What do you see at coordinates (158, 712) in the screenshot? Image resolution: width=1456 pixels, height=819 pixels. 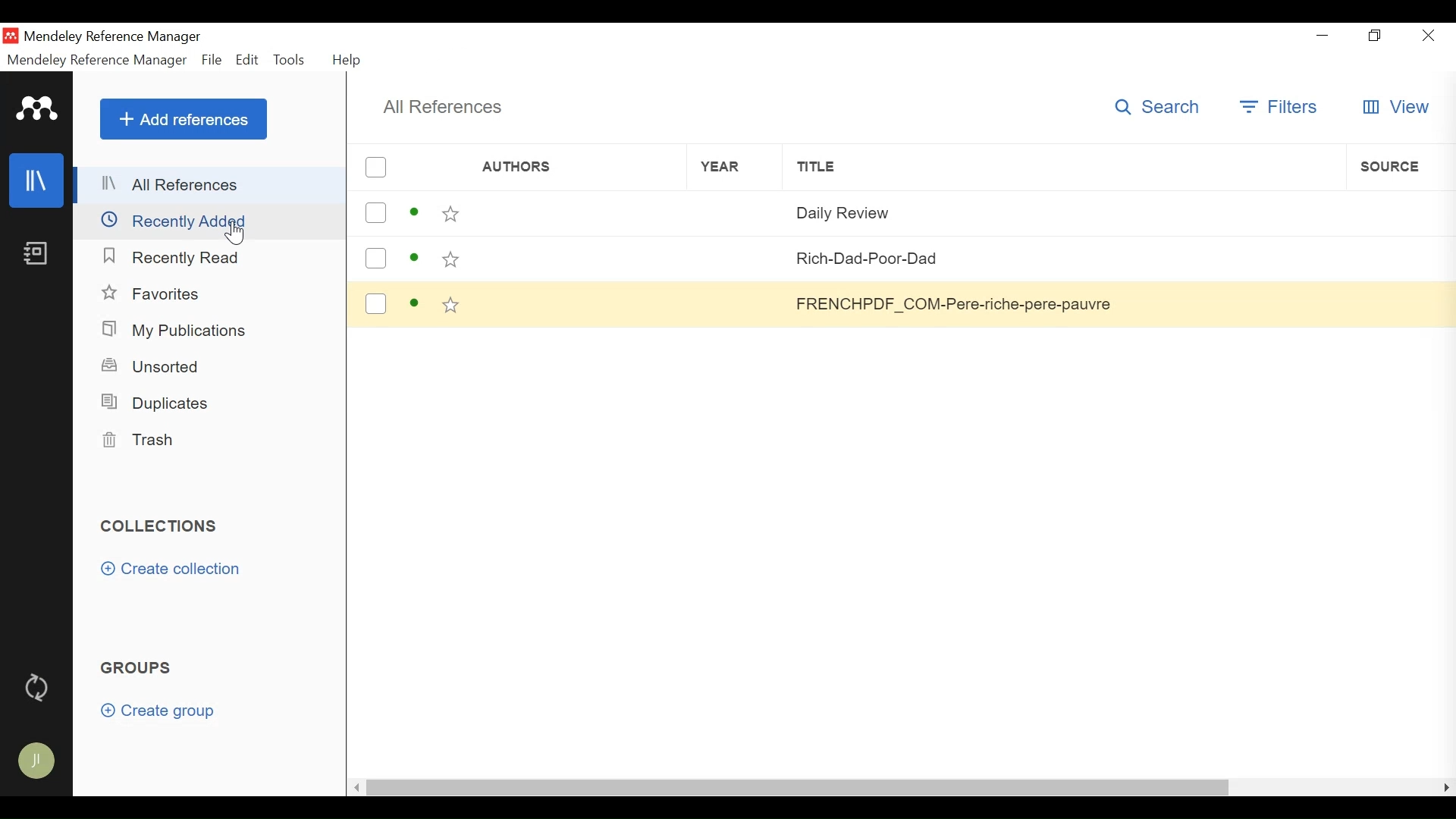 I see `Create Group` at bounding box center [158, 712].